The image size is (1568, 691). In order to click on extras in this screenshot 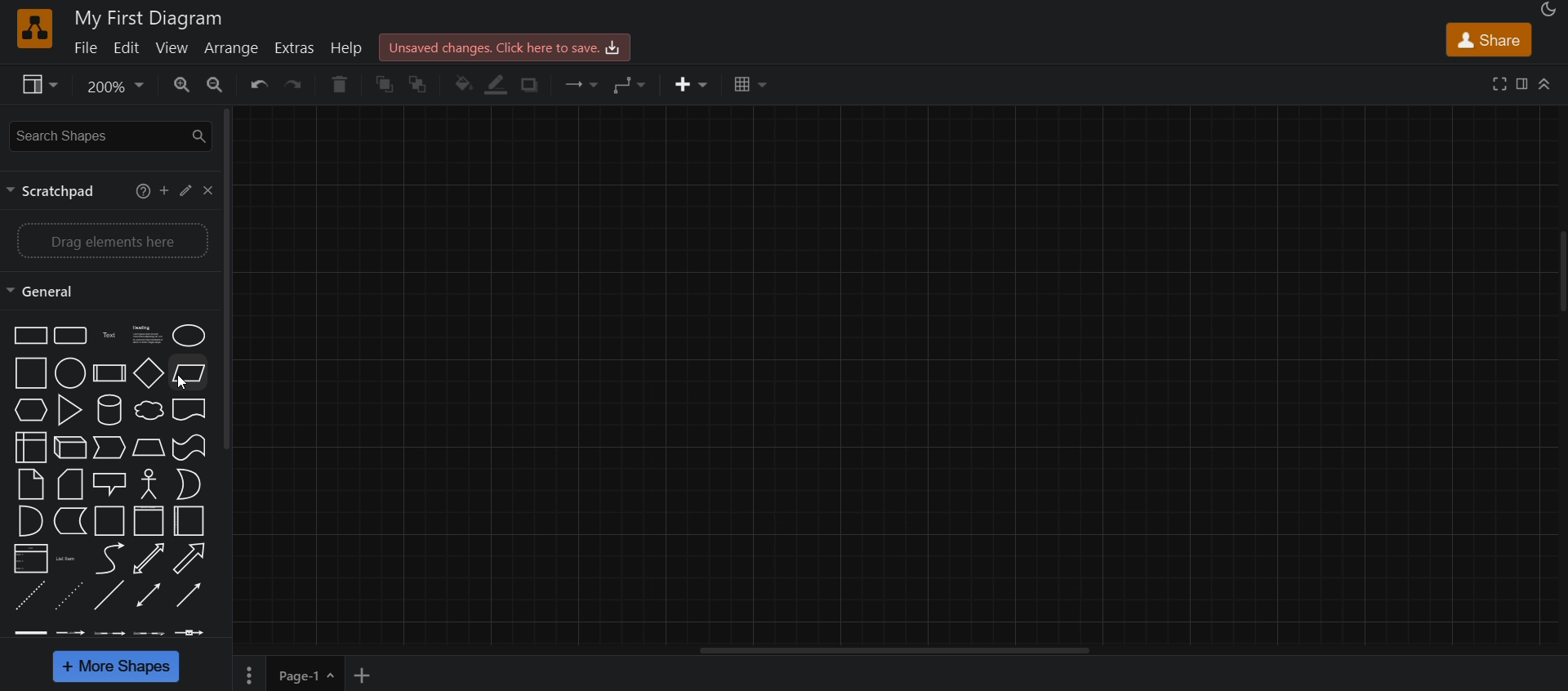, I will do `click(292, 48)`.